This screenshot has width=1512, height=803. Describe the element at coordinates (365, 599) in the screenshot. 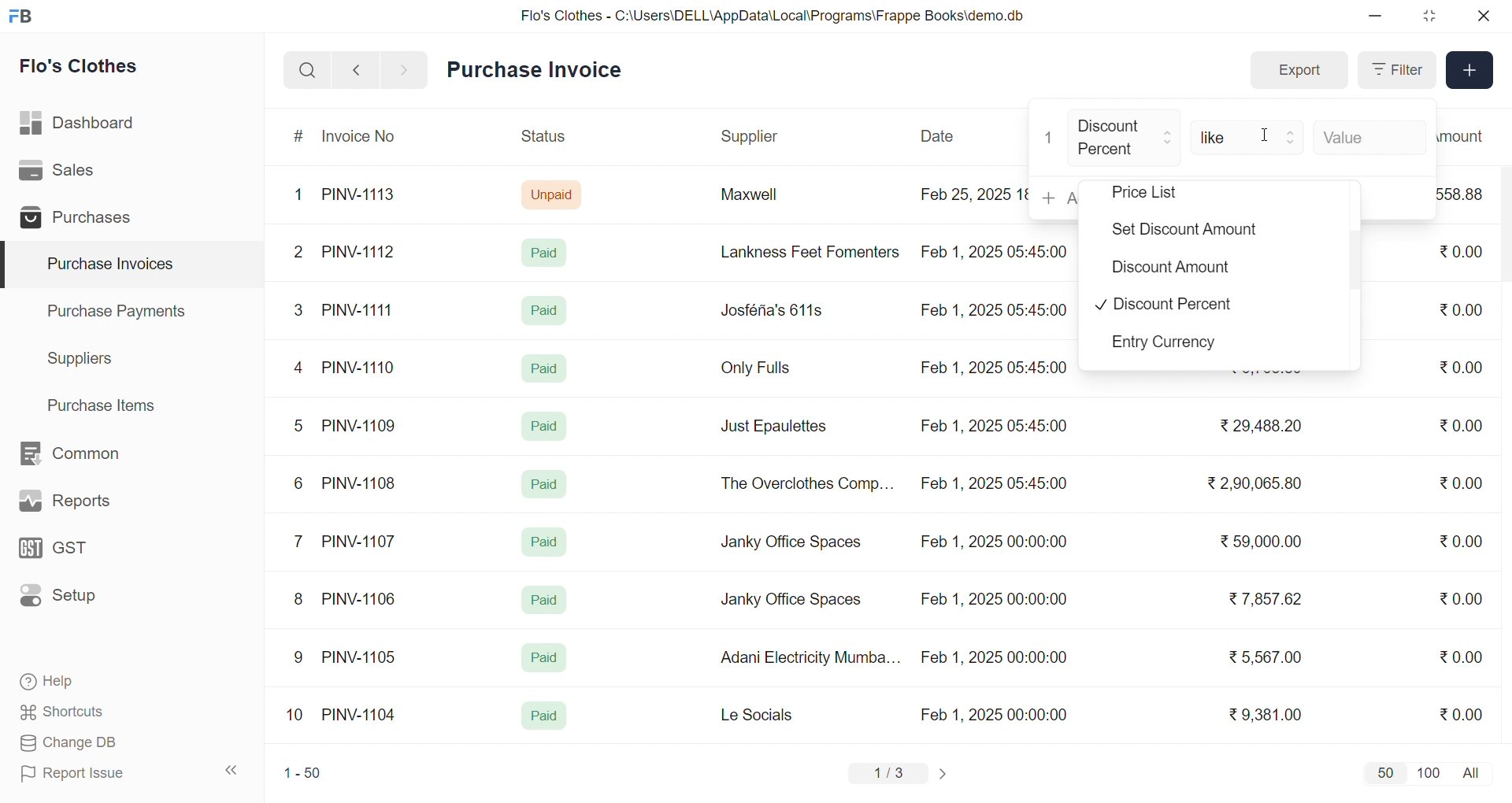

I see `PINV-1106` at that location.